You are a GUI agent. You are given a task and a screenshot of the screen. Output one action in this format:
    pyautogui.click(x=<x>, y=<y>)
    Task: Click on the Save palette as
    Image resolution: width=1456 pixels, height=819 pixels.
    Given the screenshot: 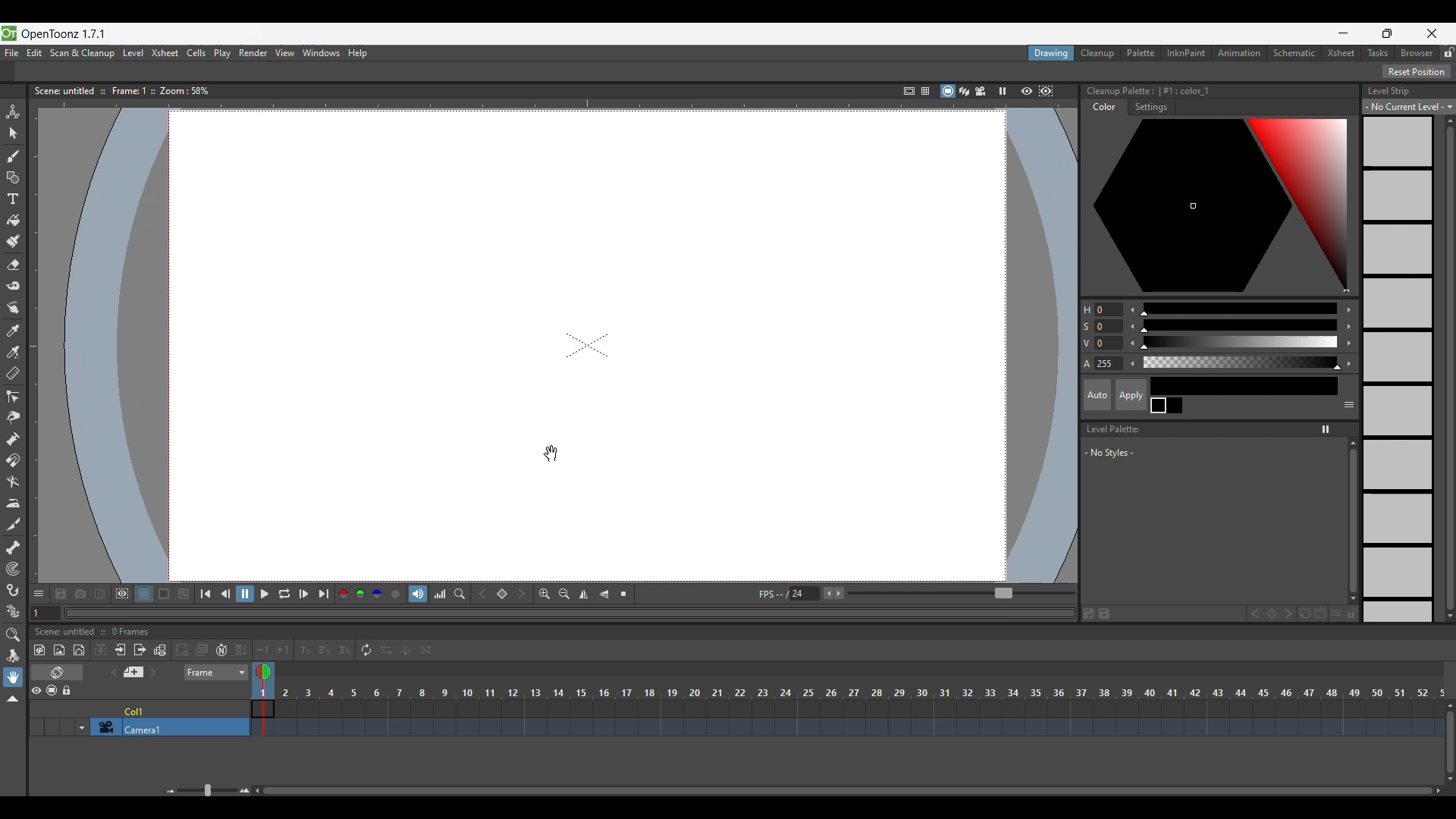 What is the action you would take?
    pyautogui.click(x=1086, y=615)
    